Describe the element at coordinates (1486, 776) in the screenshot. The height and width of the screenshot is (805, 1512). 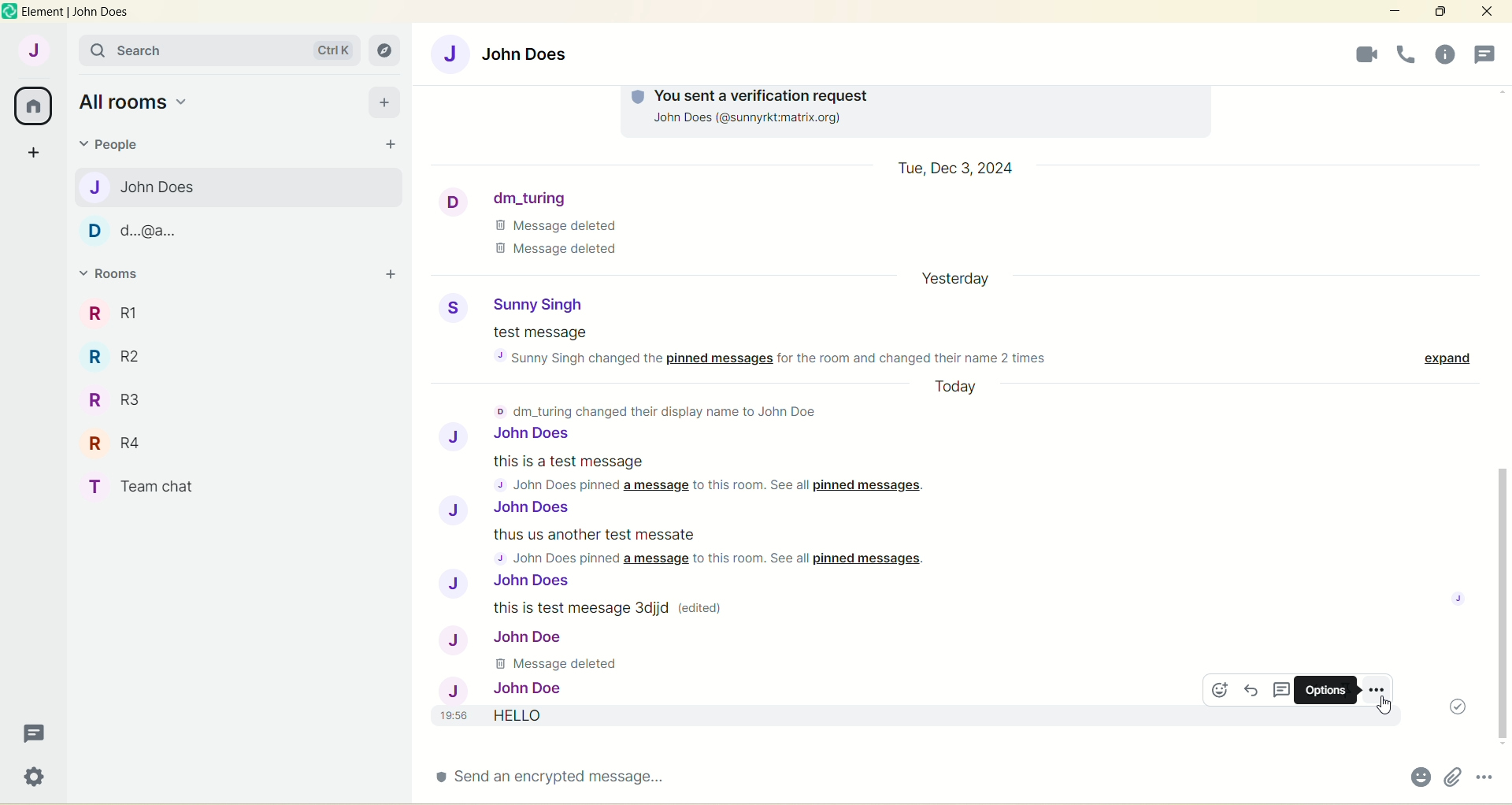
I see `options` at that location.